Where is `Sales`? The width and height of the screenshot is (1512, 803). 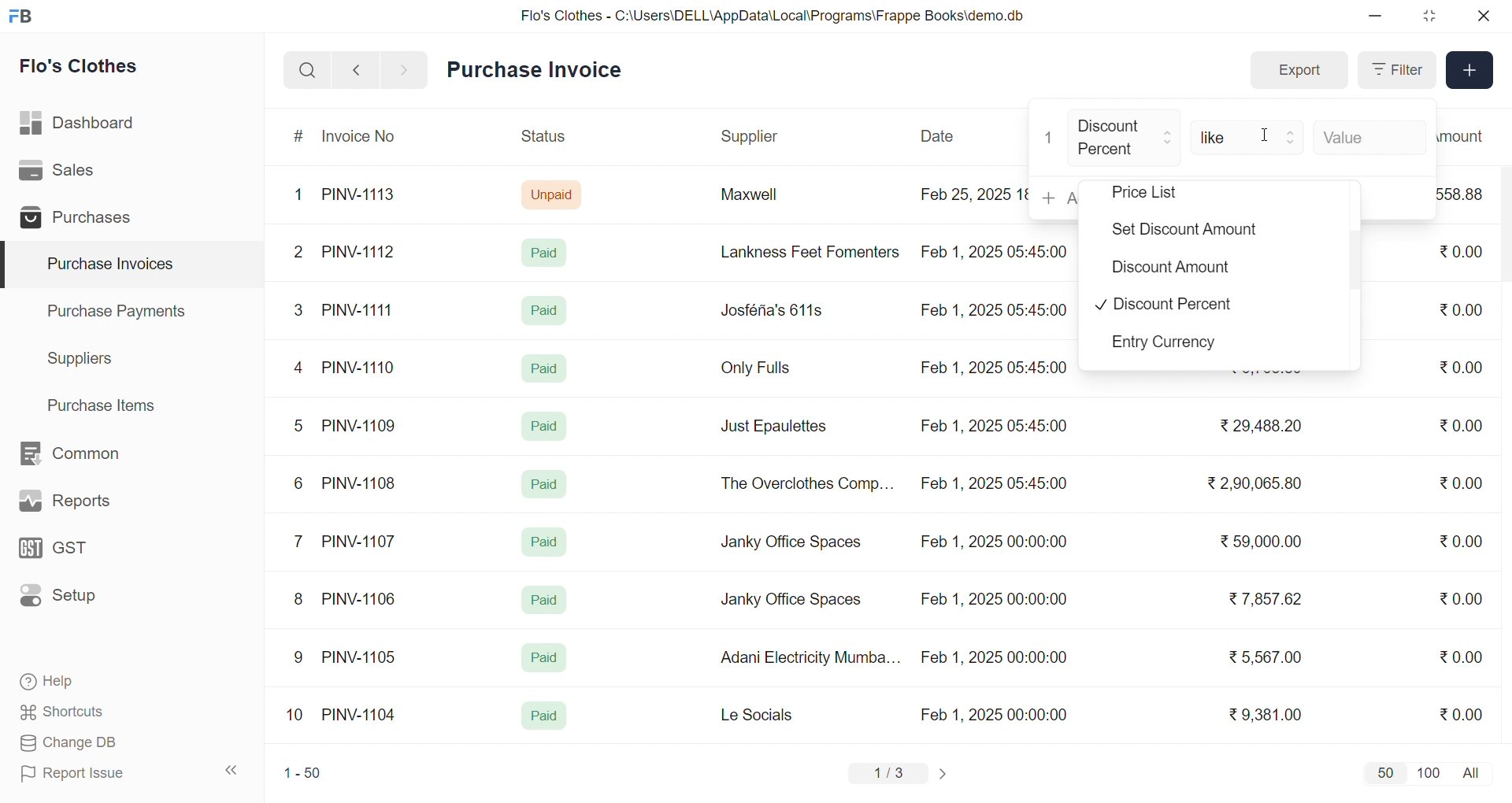 Sales is located at coordinates (81, 173).